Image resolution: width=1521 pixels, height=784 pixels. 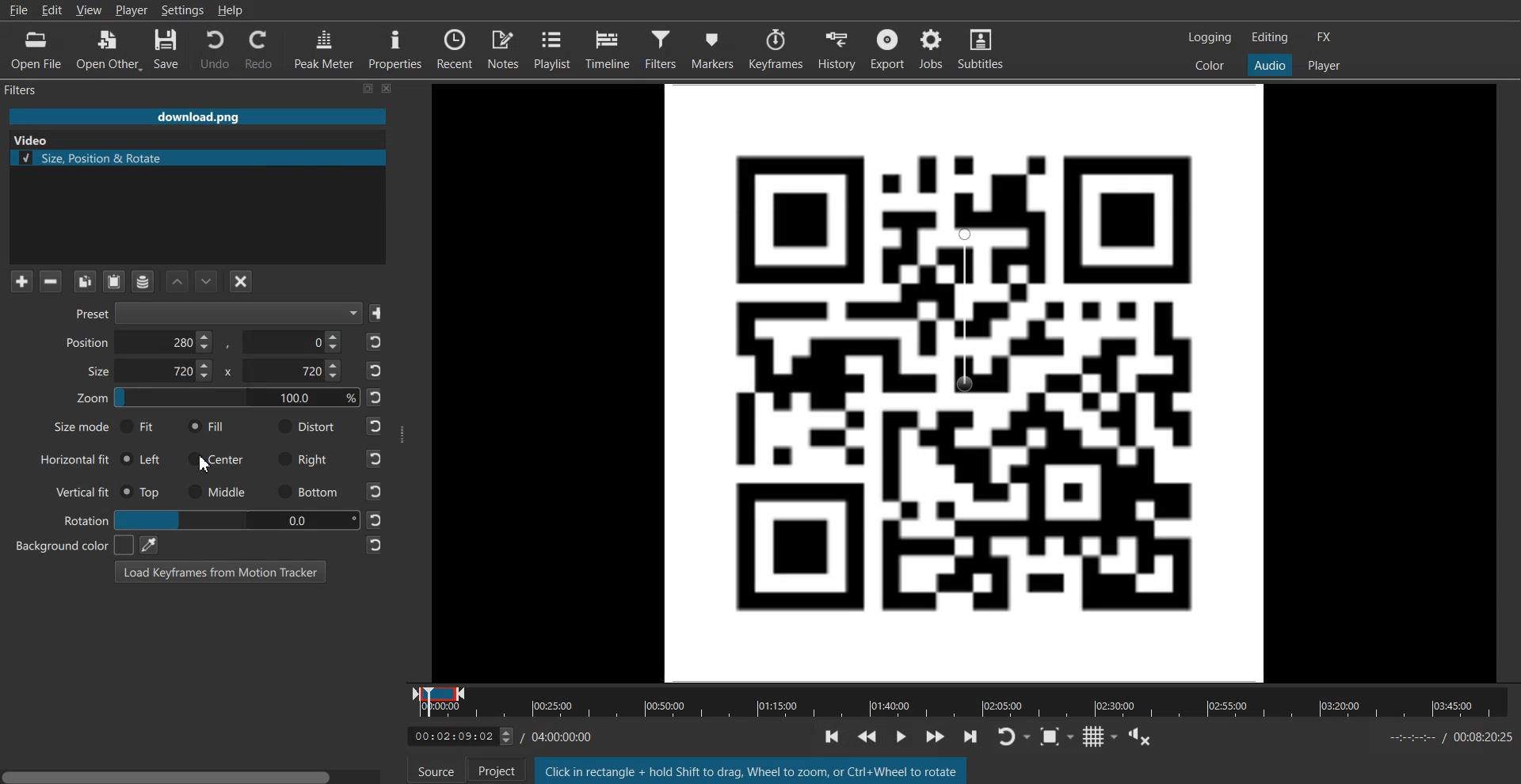 I want to click on Top, so click(x=143, y=492).